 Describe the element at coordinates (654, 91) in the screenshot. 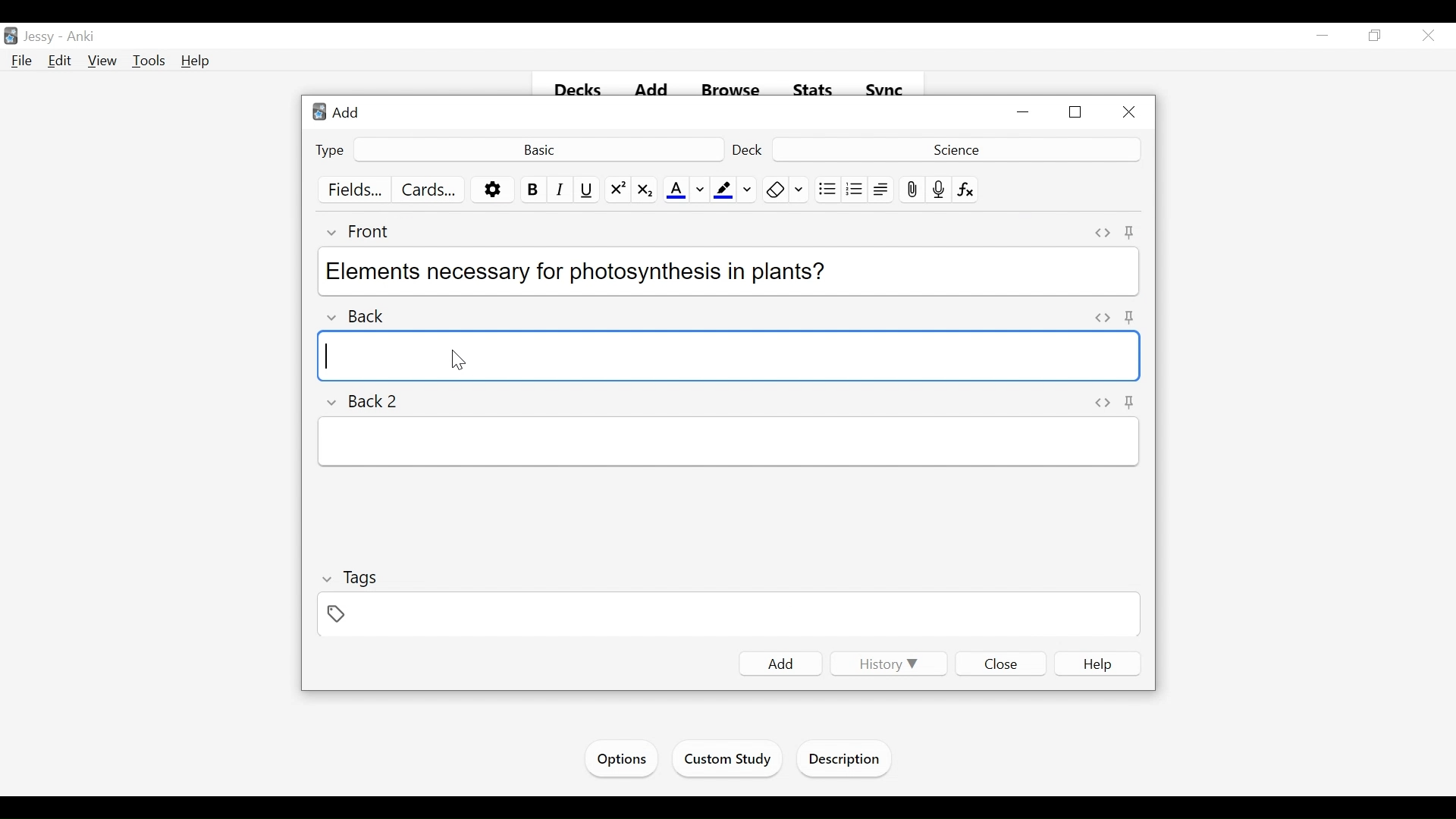

I see `Add` at that location.